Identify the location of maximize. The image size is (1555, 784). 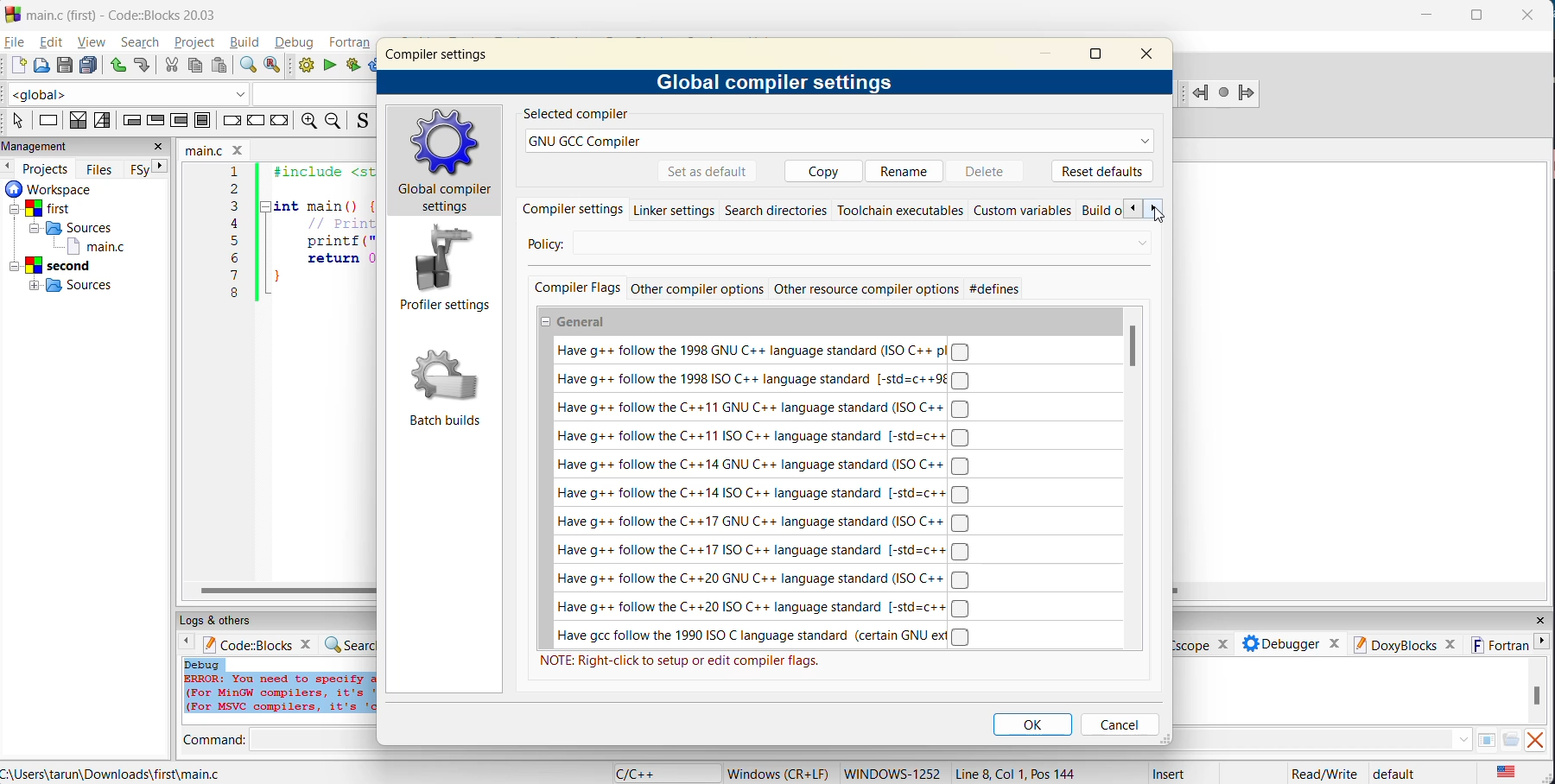
(1476, 15).